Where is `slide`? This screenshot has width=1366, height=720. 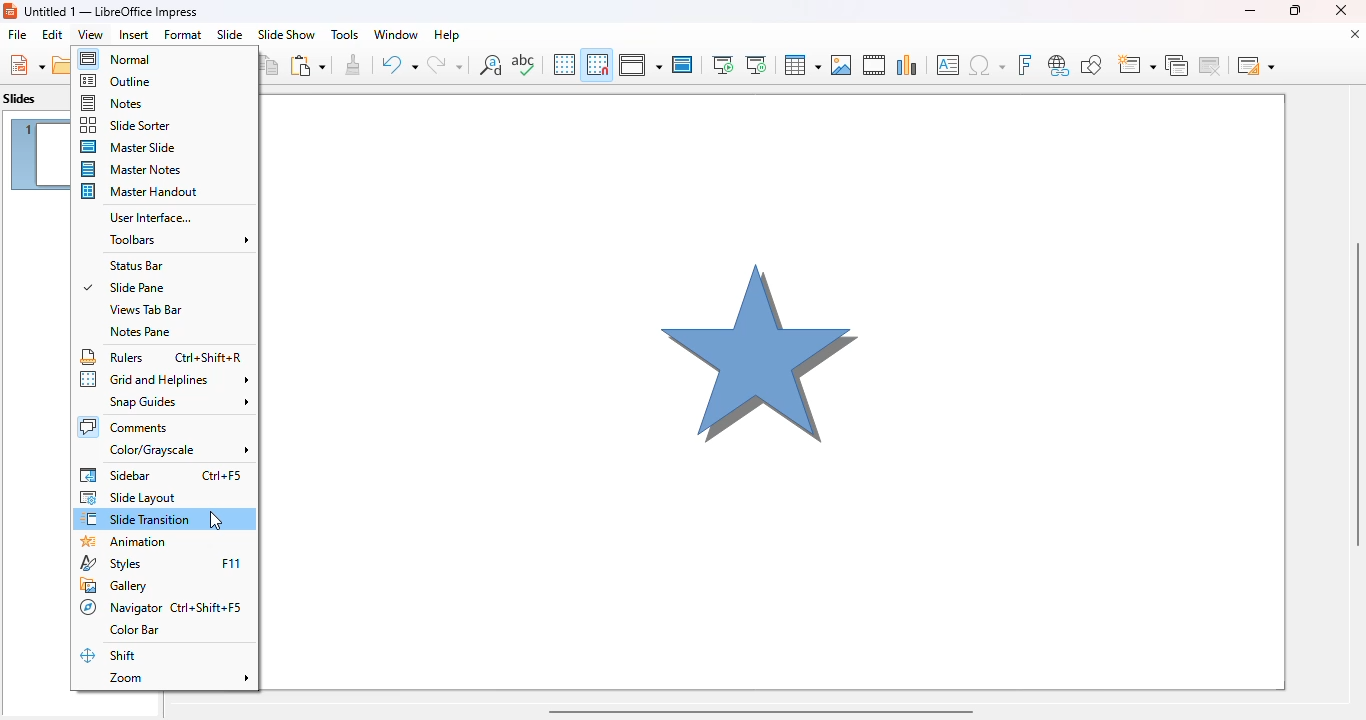
slide is located at coordinates (229, 35).